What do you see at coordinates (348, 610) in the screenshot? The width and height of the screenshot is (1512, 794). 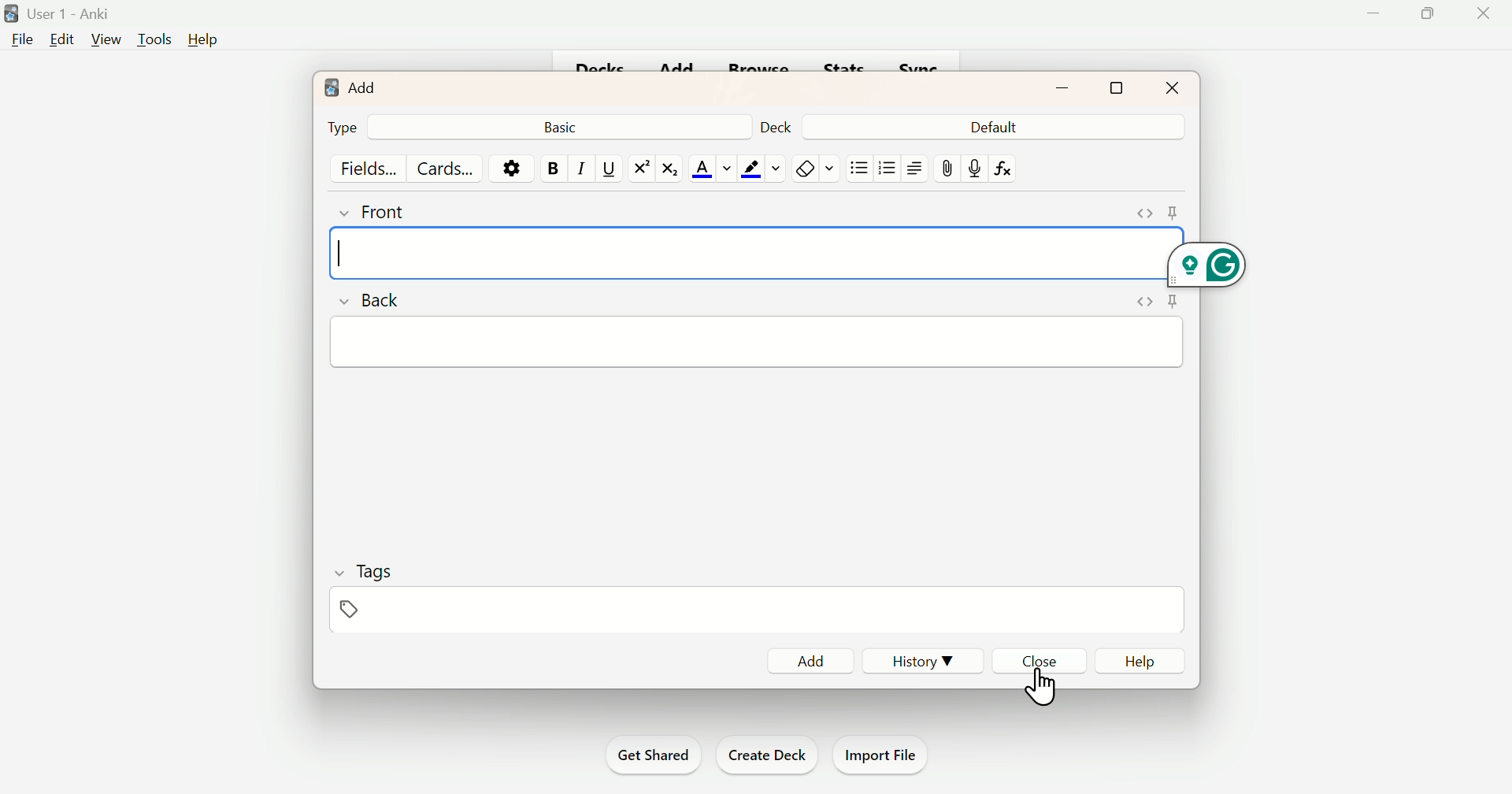 I see `Pin` at bounding box center [348, 610].